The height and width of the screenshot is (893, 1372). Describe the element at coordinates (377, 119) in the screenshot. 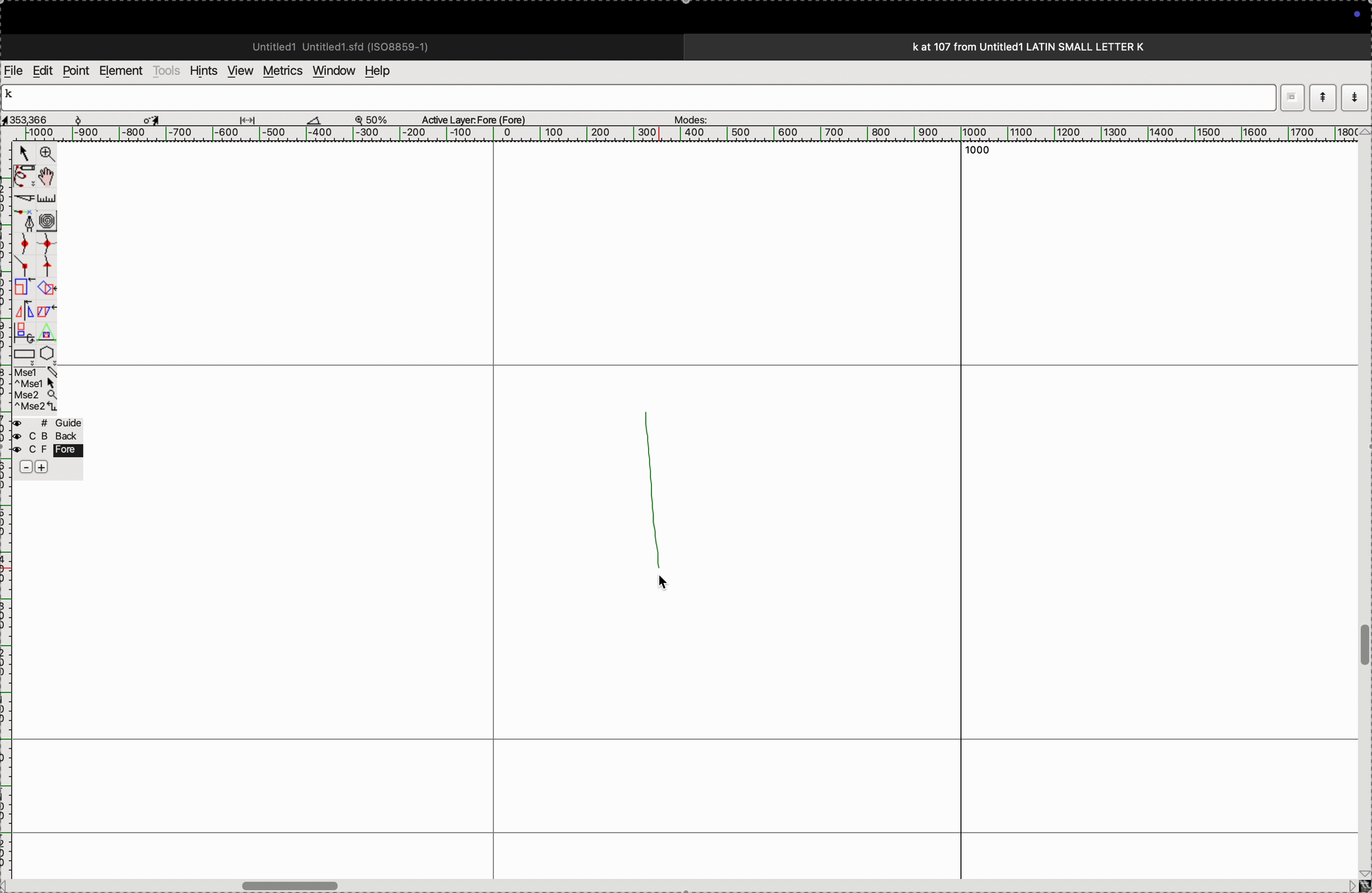

I see `zoom` at that location.